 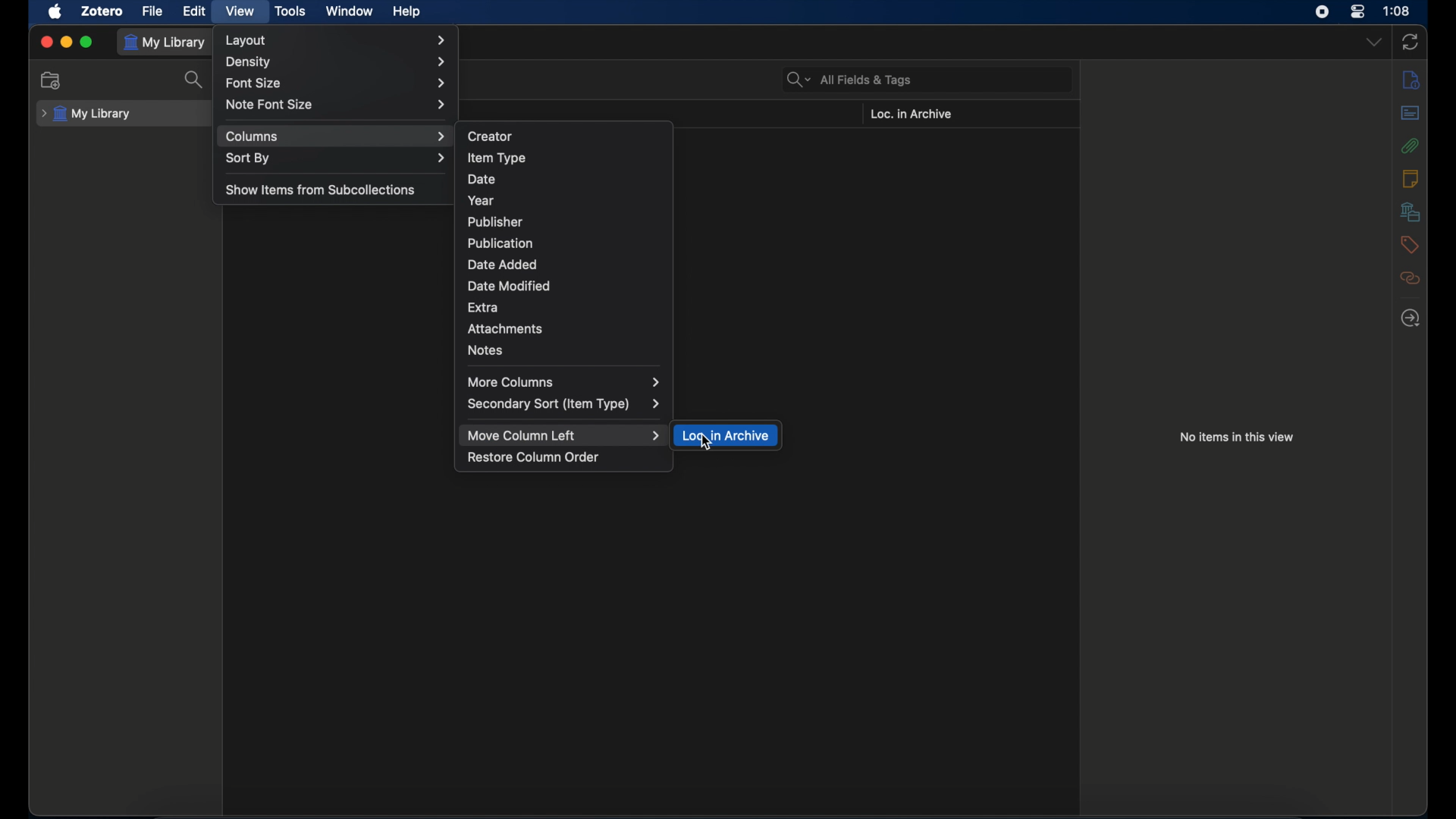 I want to click on columns, so click(x=336, y=136).